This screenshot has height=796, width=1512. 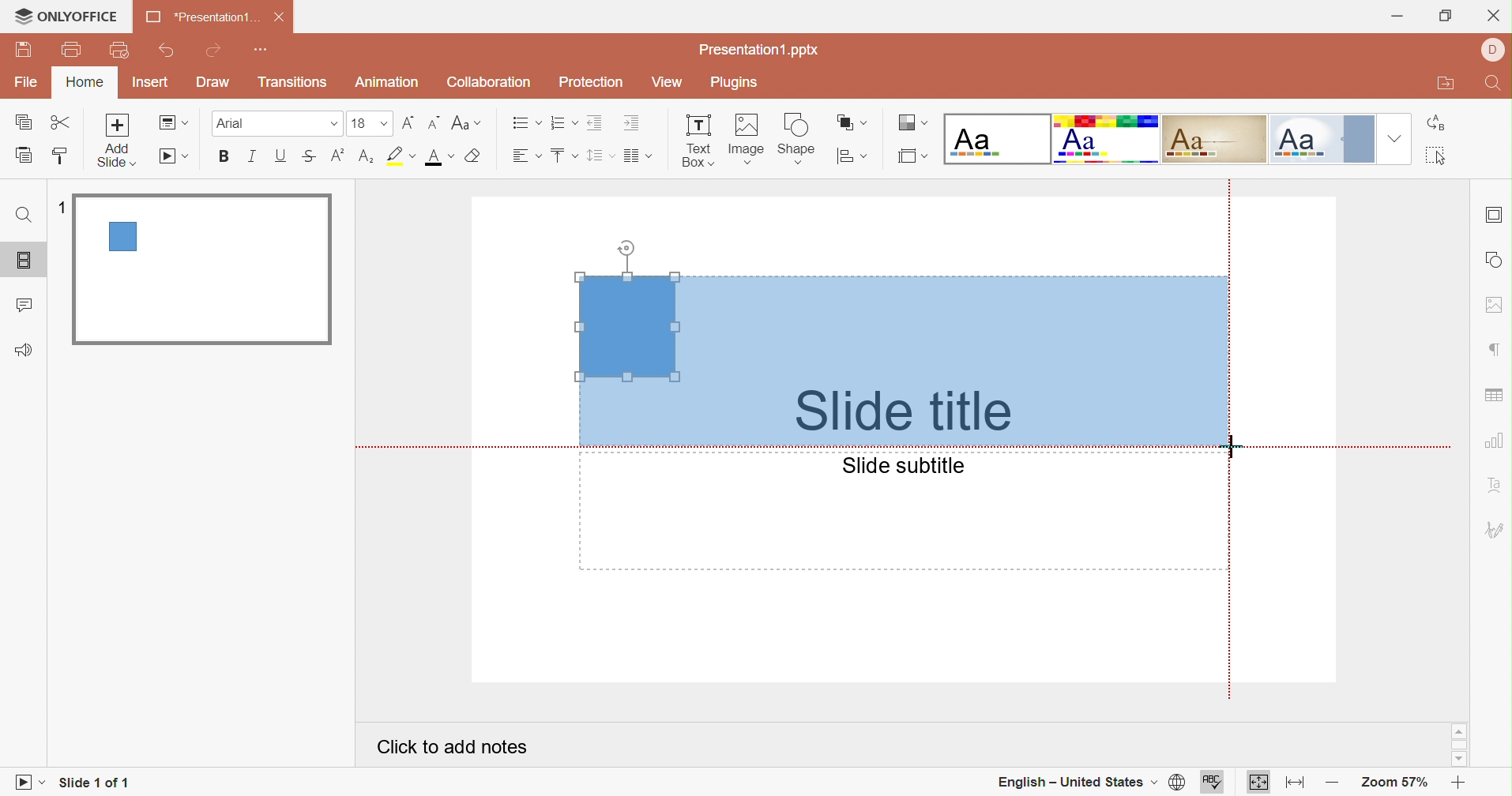 What do you see at coordinates (441, 157) in the screenshot?
I see `Font color` at bounding box center [441, 157].